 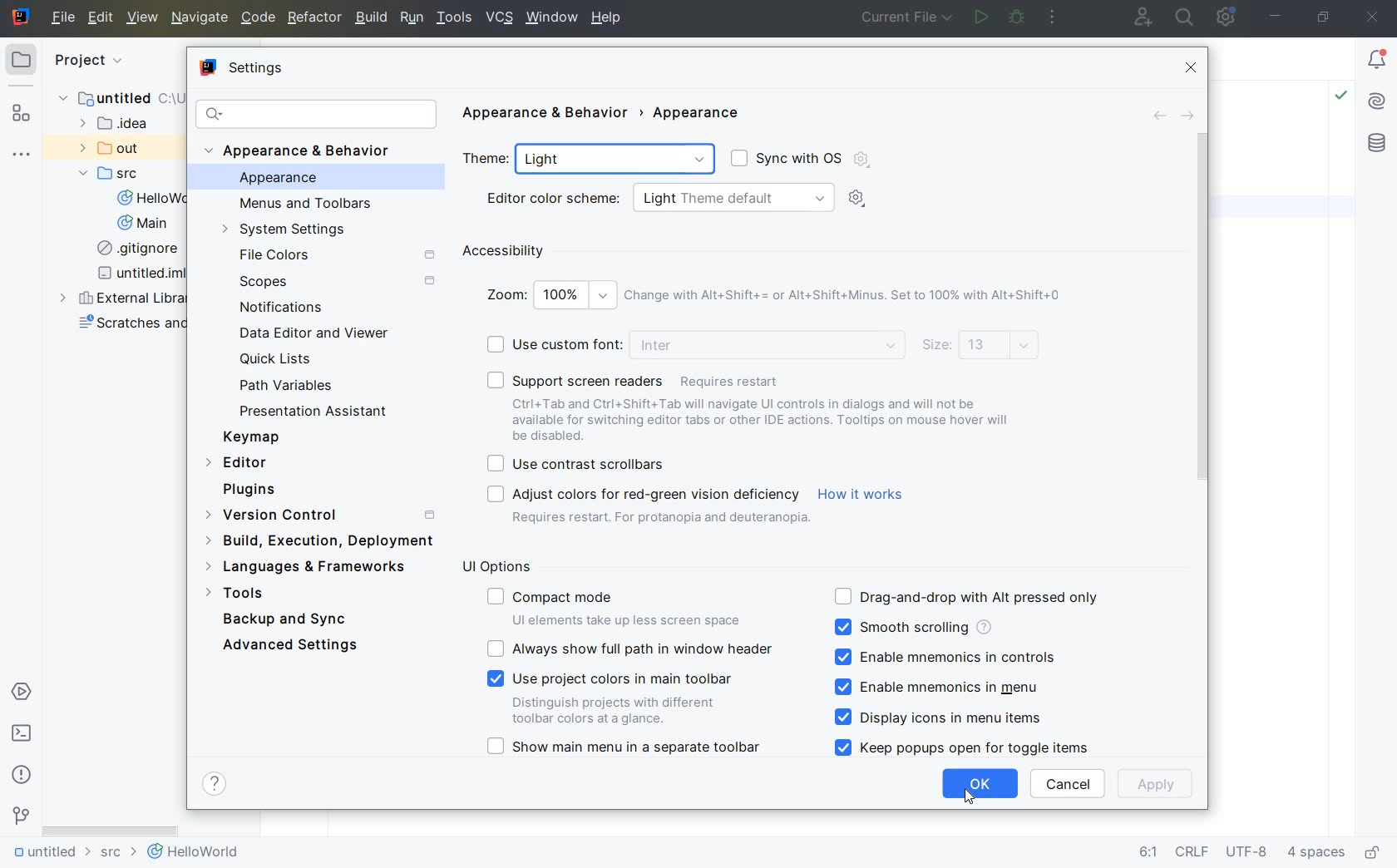 What do you see at coordinates (306, 150) in the screenshot?
I see `APPEARANCE & BEHAVIOR` at bounding box center [306, 150].